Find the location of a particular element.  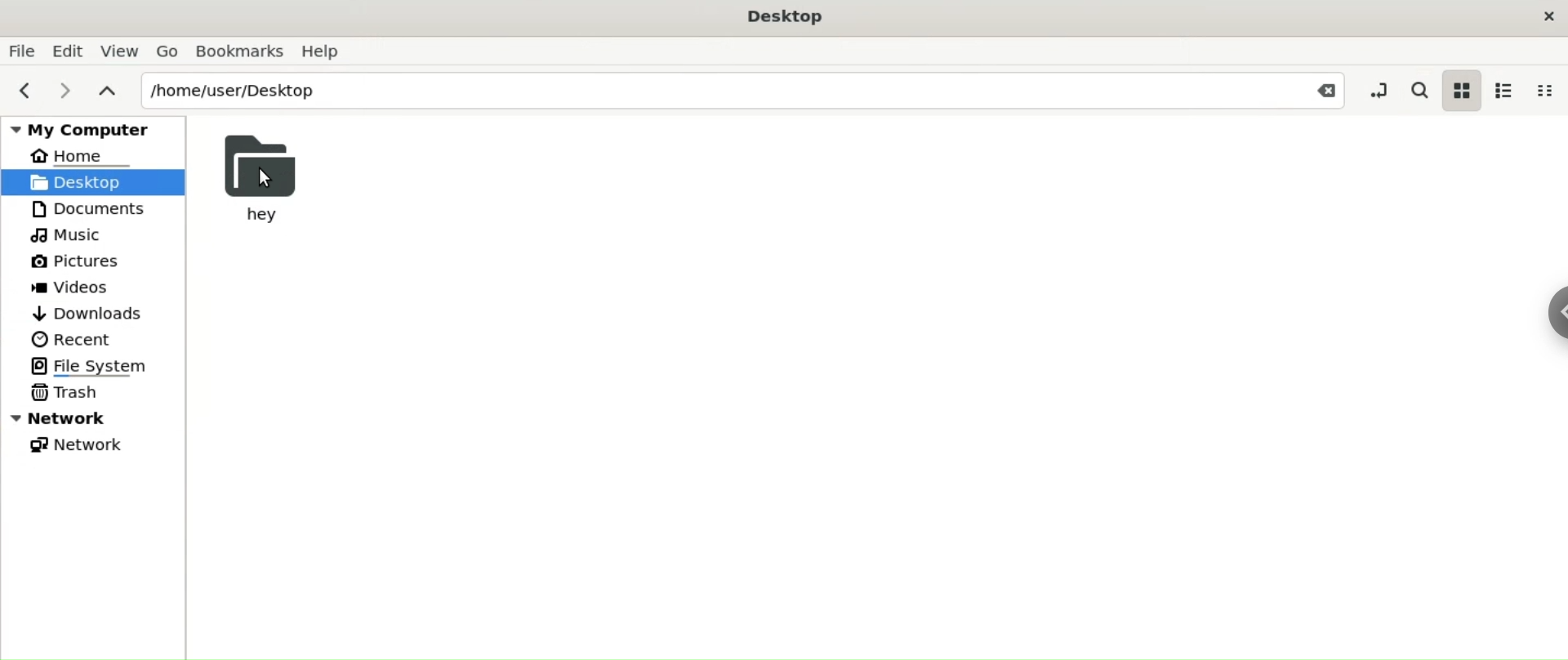

parent folders is located at coordinates (109, 90).